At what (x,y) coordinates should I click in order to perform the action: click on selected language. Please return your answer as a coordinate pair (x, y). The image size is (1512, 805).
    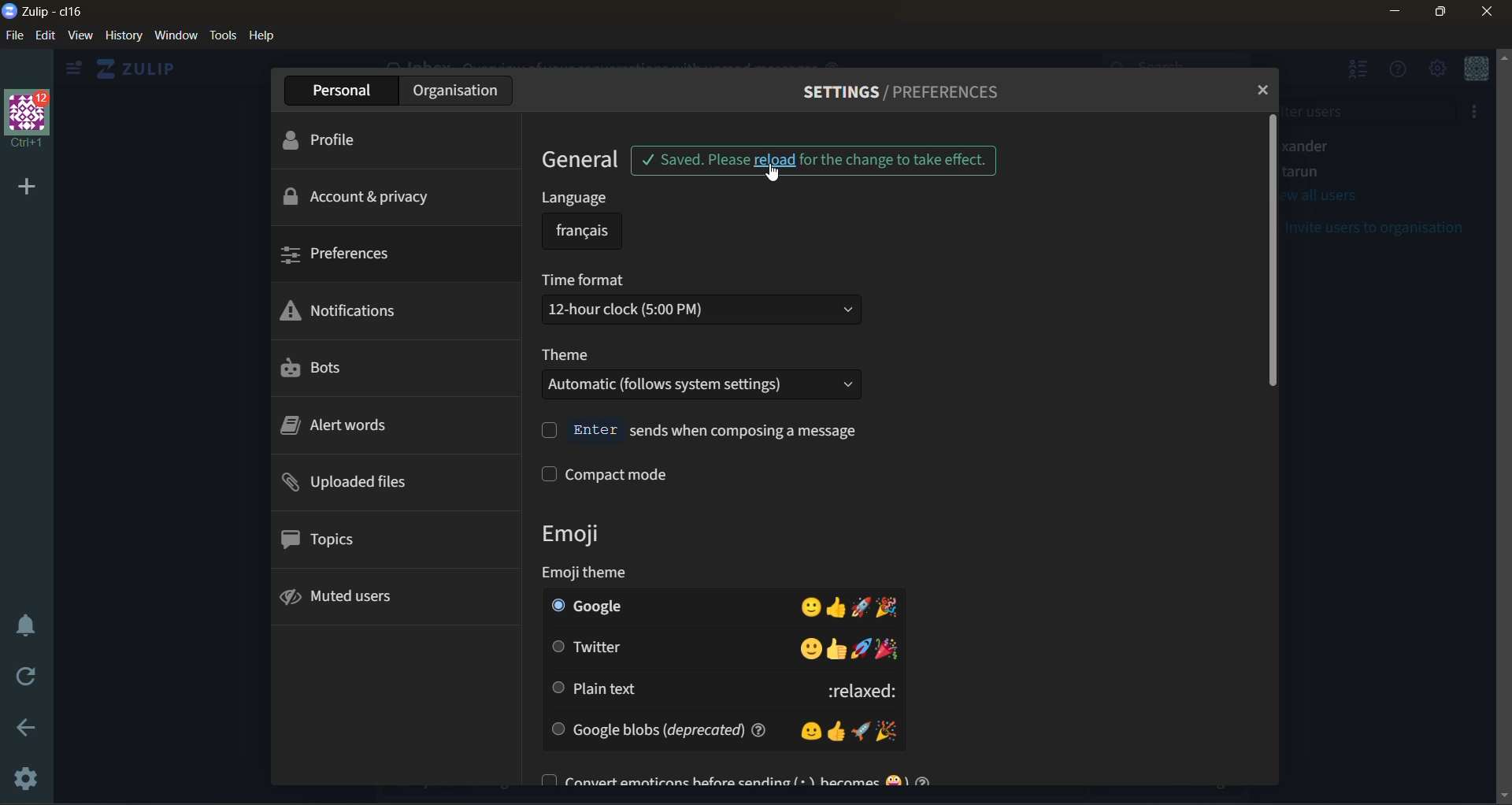
    Looking at the image, I should click on (581, 232).